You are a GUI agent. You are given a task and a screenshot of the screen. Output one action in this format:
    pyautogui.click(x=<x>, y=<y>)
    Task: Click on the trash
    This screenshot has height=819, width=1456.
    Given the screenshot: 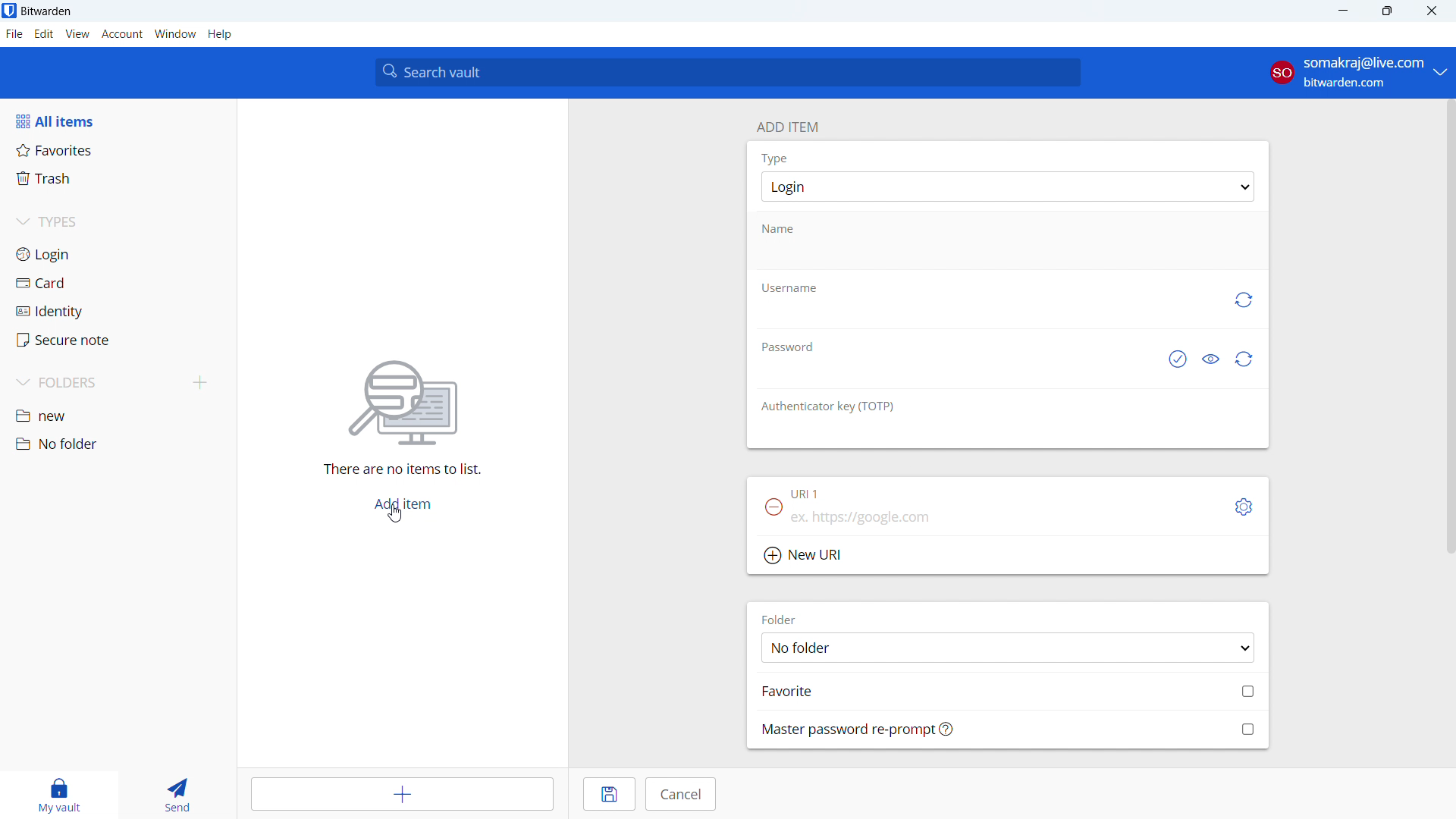 What is the action you would take?
    pyautogui.click(x=117, y=179)
    